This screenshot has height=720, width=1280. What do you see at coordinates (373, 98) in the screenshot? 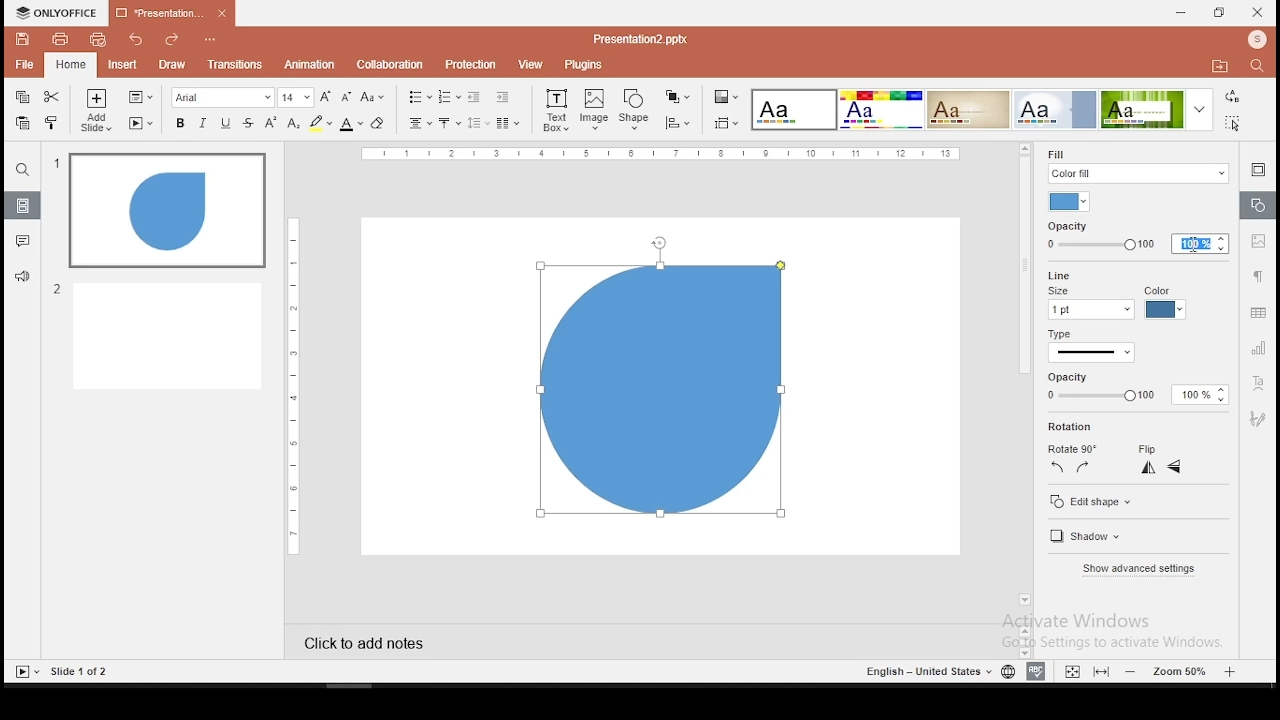
I see `change case` at bounding box center [373, 98].